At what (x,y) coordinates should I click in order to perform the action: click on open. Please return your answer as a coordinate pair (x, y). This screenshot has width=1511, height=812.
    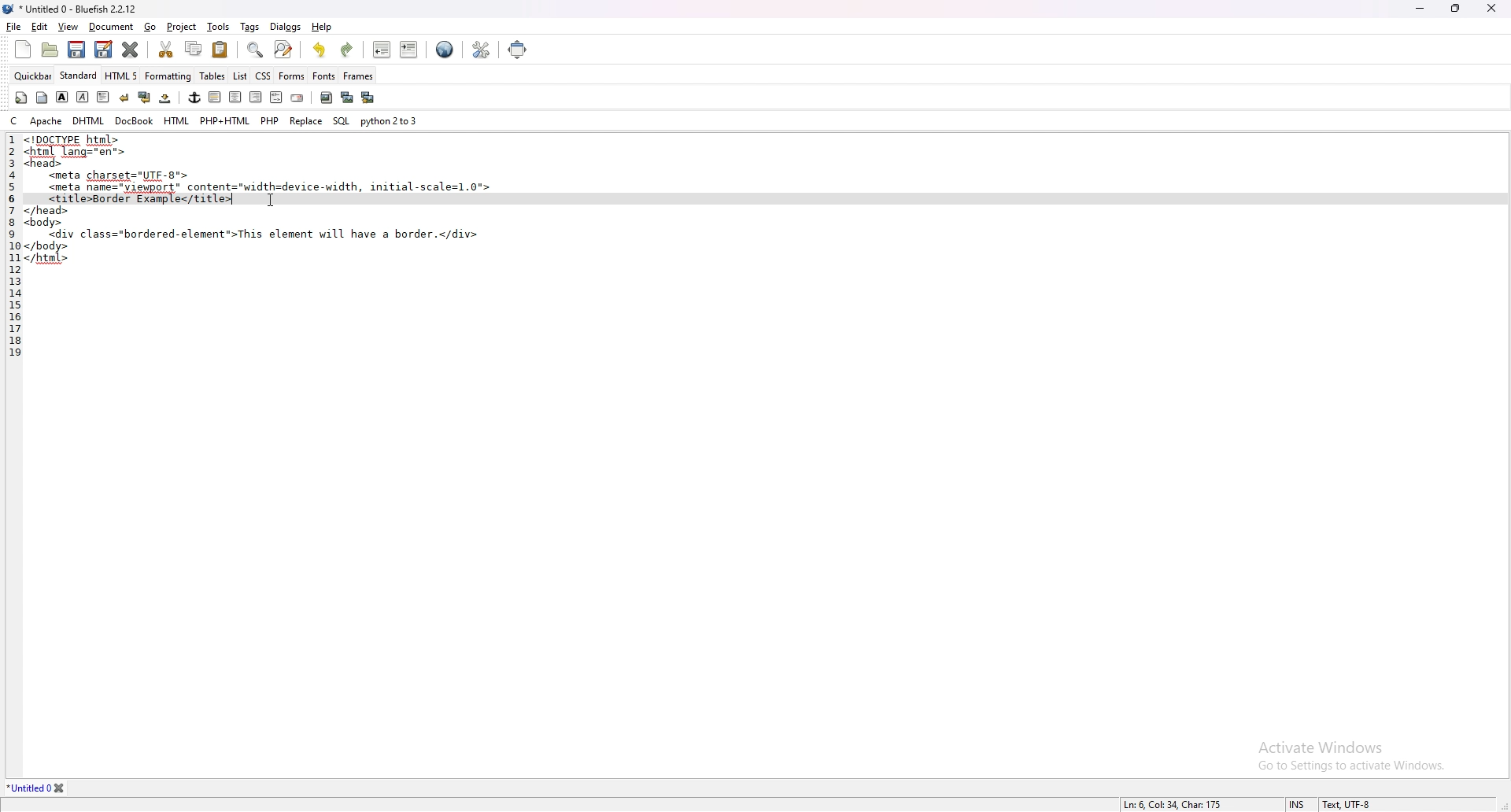
    Looking at the image, I should click on (52, 51).